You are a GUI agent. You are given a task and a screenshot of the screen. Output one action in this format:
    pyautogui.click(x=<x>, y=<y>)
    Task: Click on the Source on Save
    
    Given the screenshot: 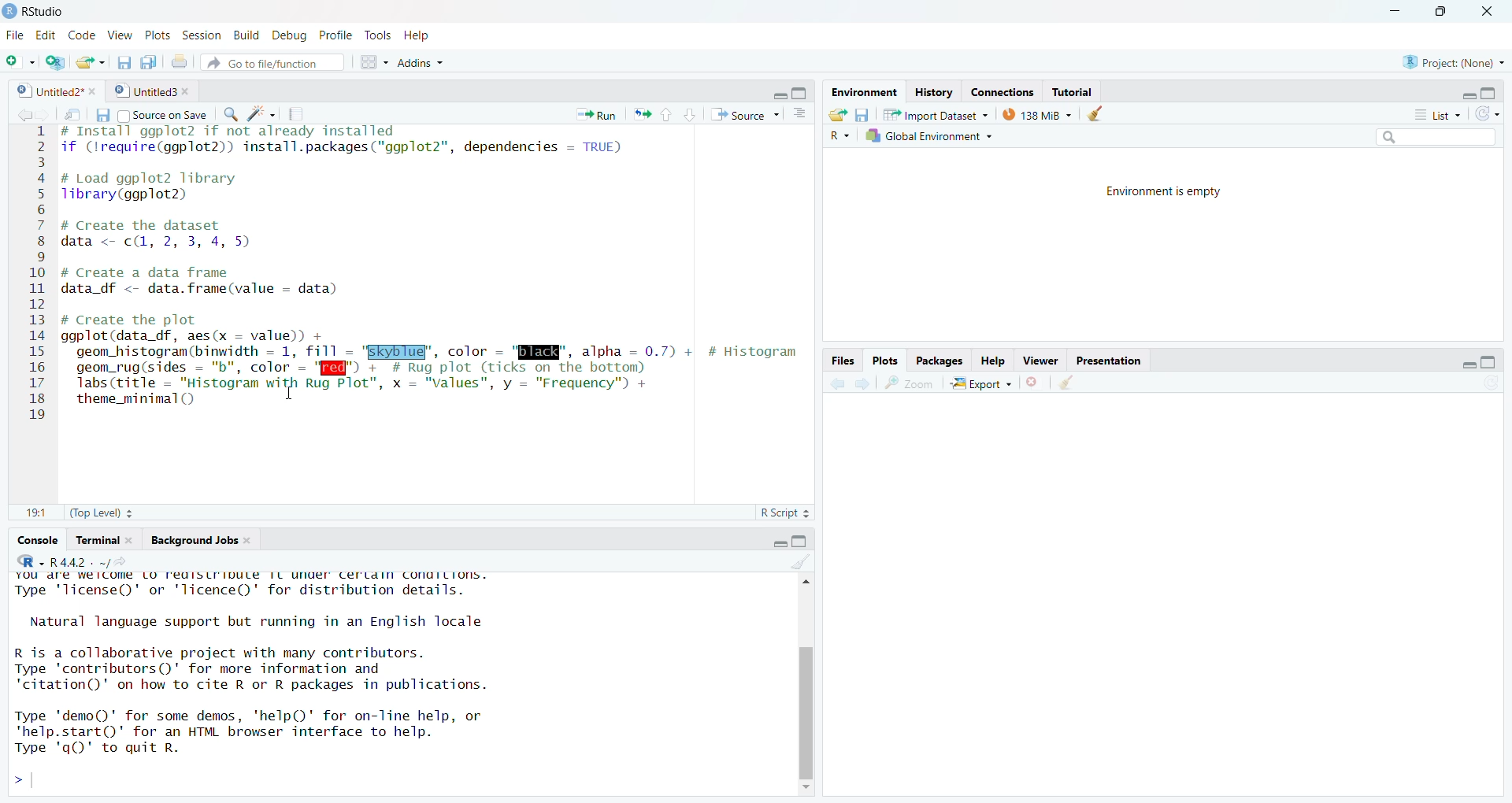 What is the action you would take?
    pyautogui.click(x=166, y=113)
    